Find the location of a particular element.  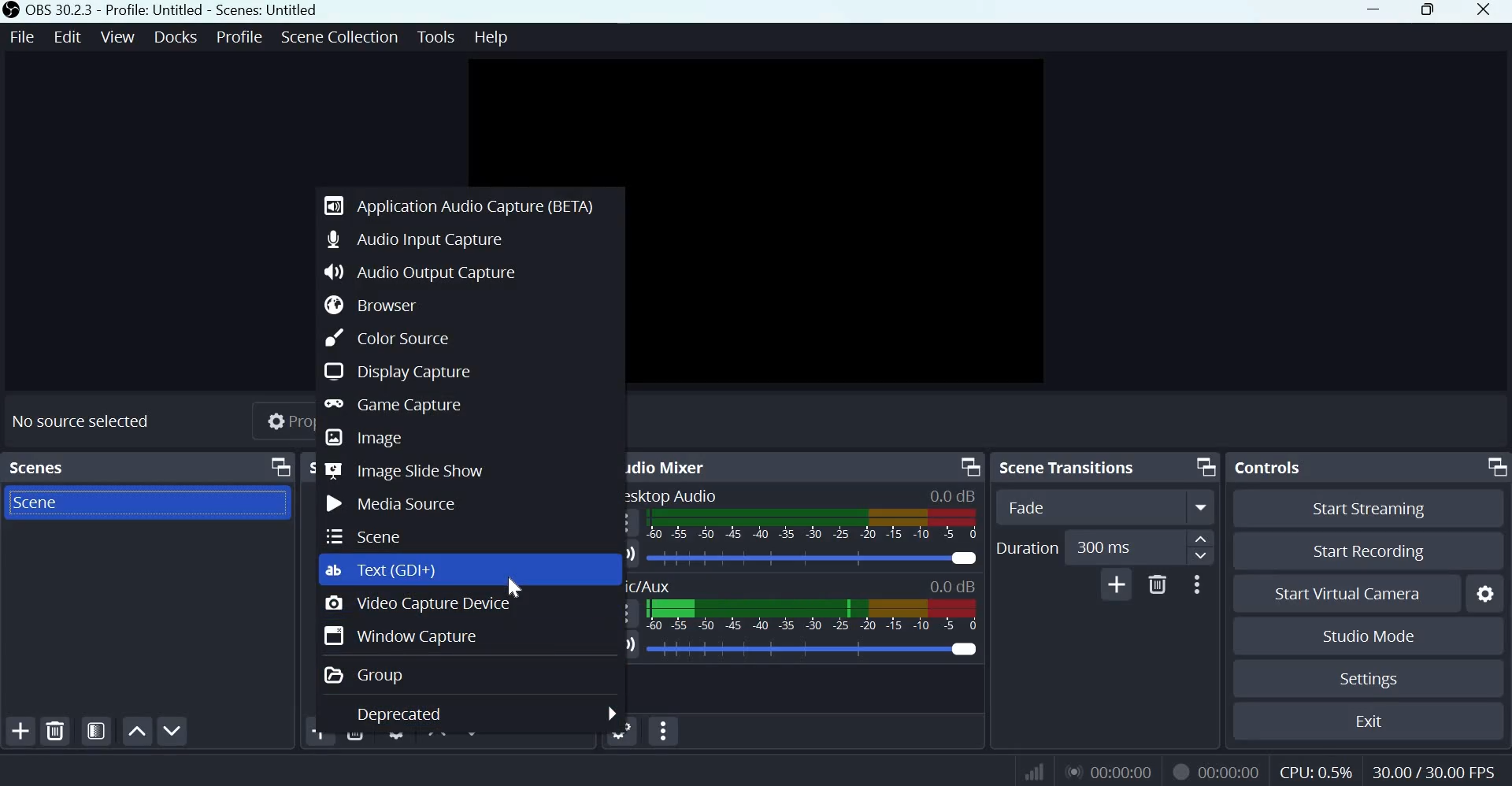

increase is located at coordinates (1202, 539).